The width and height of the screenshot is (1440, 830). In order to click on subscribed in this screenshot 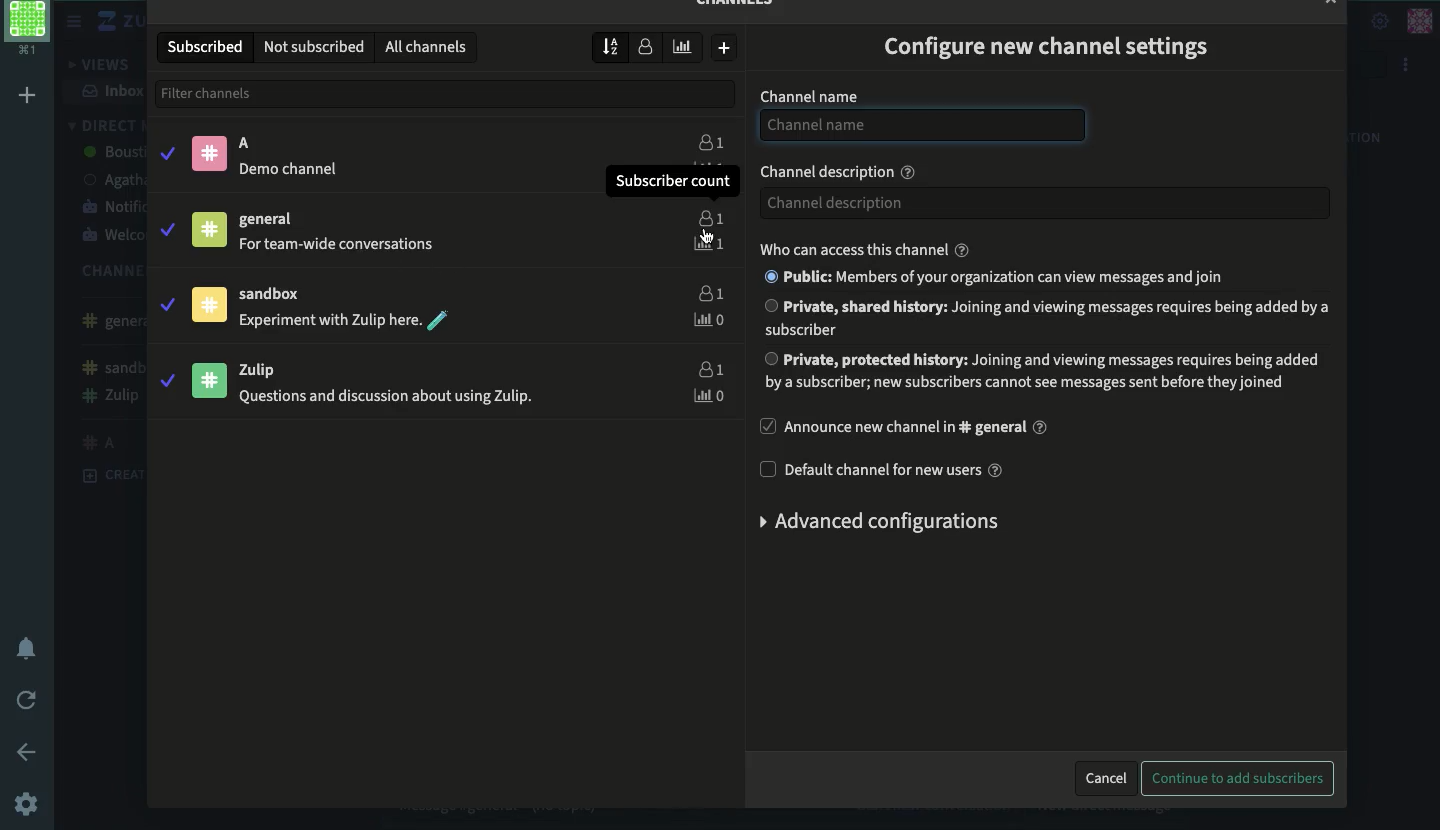, I will do `click(207, 46)`.